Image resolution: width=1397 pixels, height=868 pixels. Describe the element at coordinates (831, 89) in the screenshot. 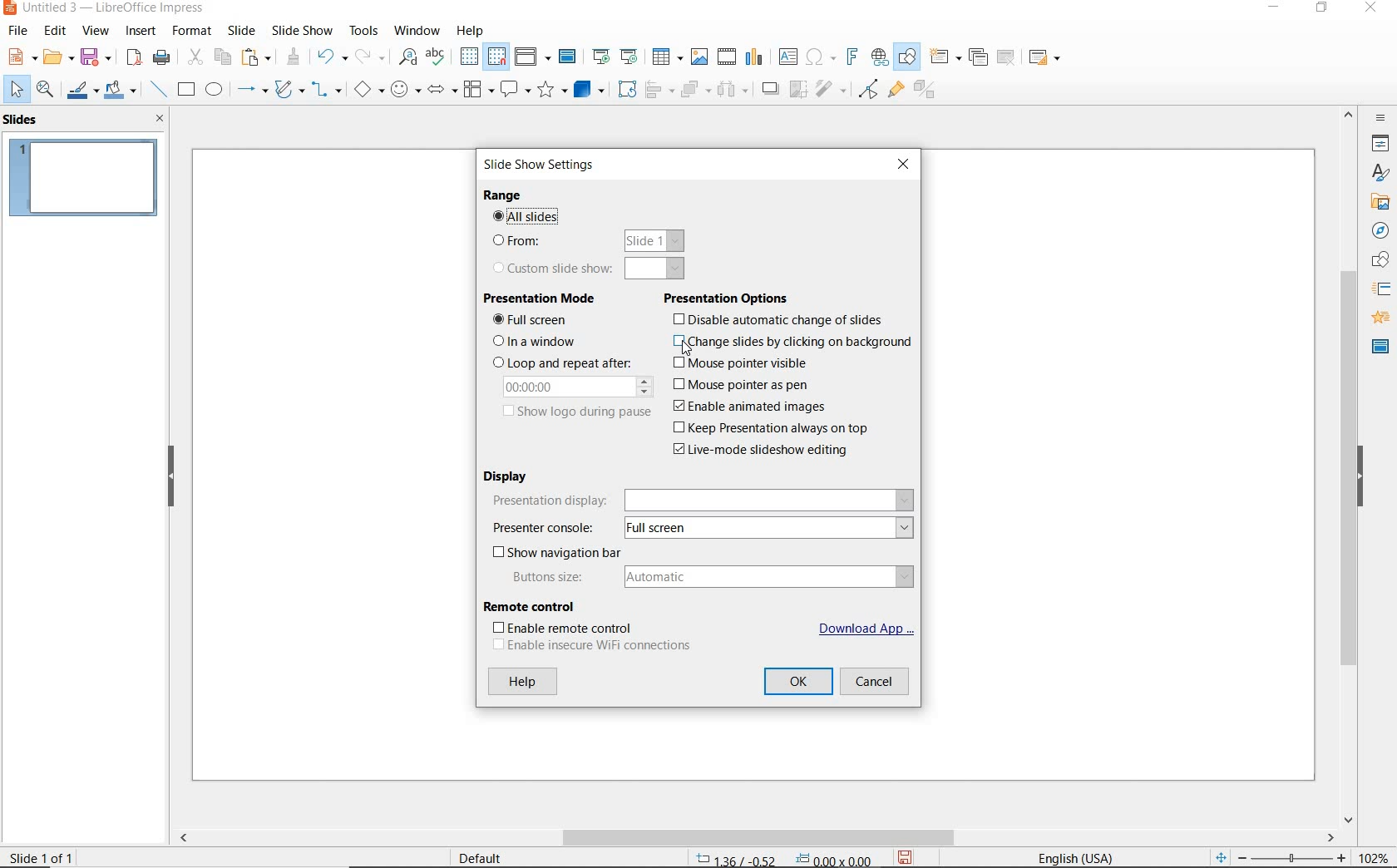

I see `FILTER` at that location.